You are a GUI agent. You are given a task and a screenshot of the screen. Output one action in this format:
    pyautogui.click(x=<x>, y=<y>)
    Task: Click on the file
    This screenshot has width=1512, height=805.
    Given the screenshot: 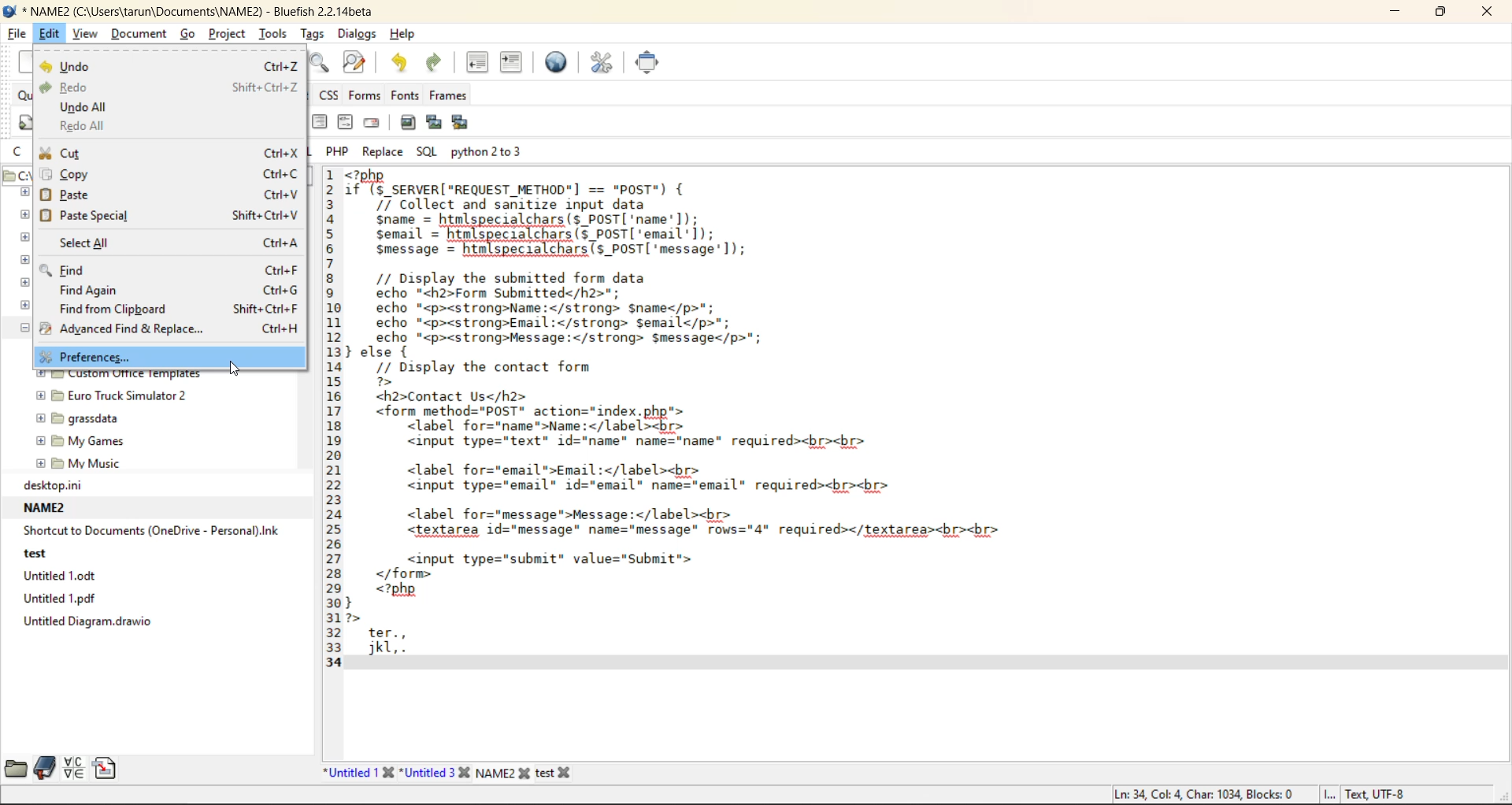 What is the action you would take?
    pyautogui.click(x=15, y=34)
    